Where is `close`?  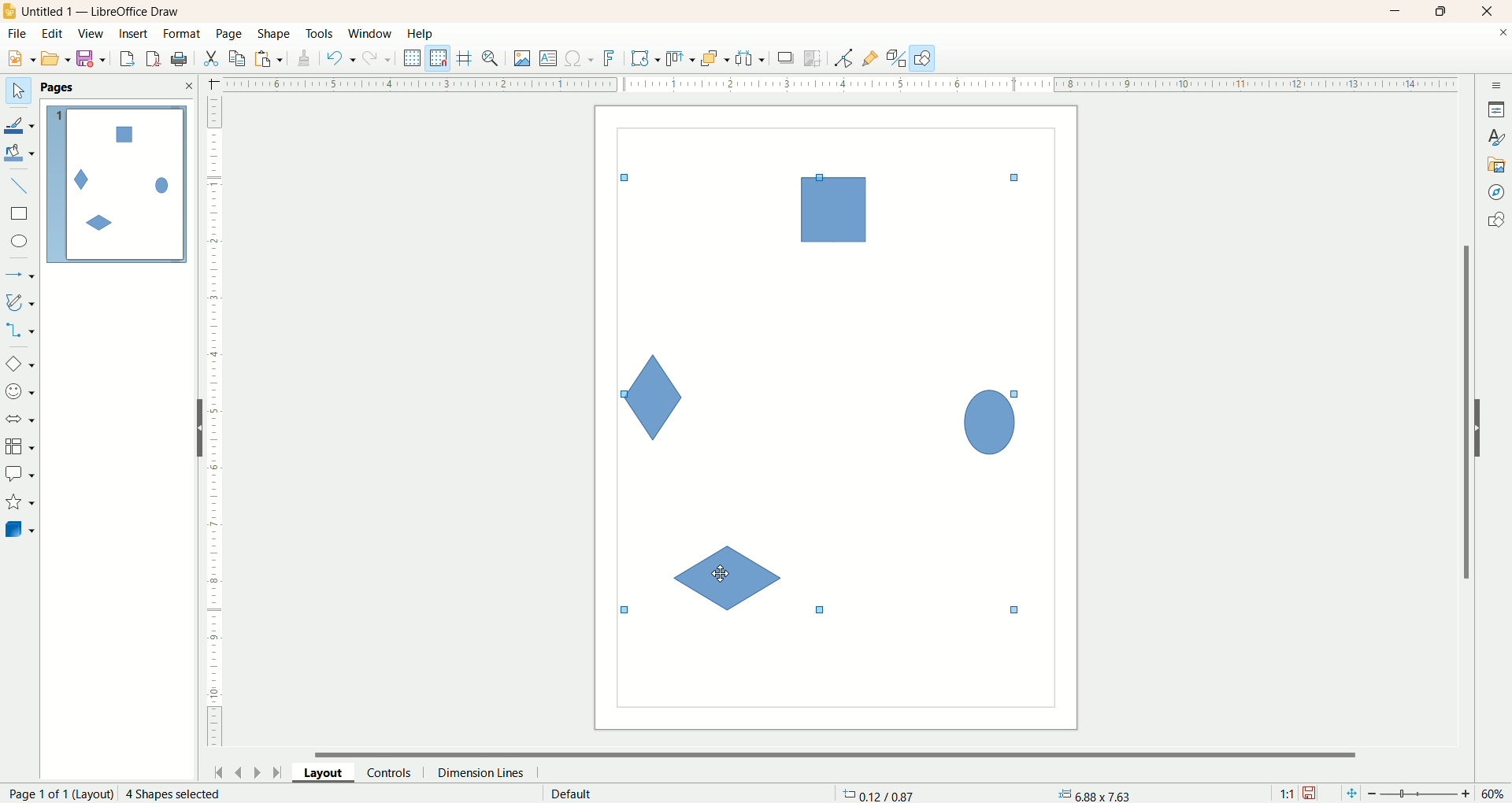 close is located at coordinates (188, 86).